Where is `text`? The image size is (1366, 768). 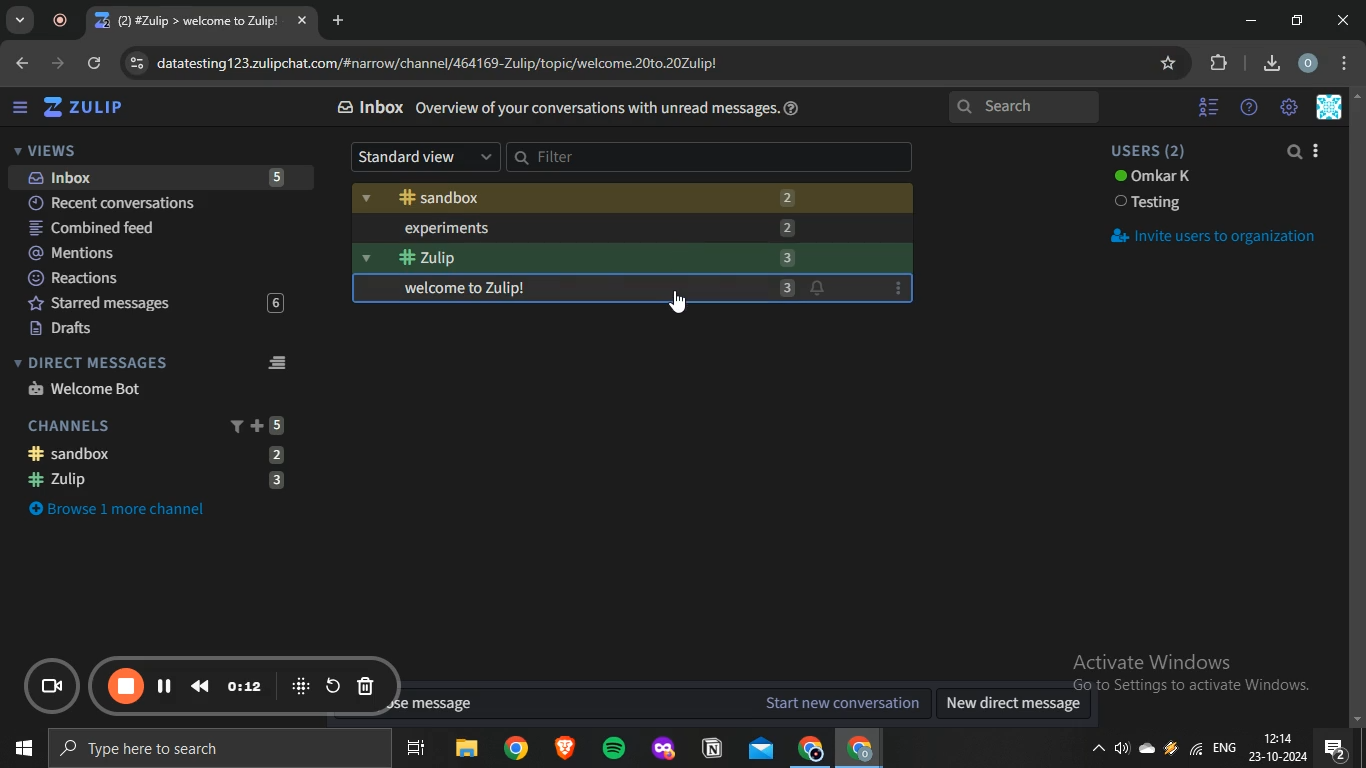
text is located at coordinates (1153, 178).